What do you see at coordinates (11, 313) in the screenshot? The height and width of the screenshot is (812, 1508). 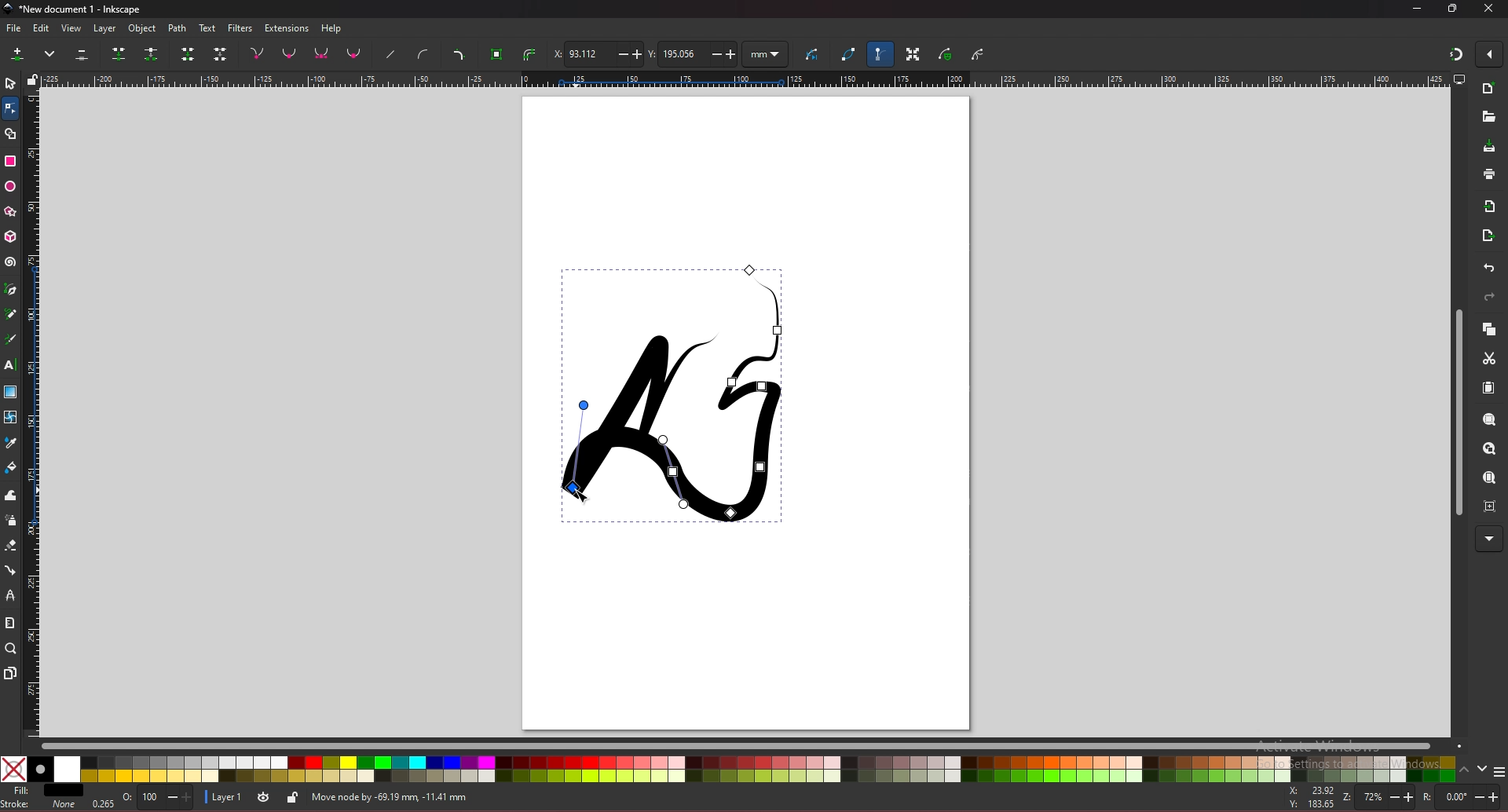 I see `pencil` at bounding box center [11, 313].